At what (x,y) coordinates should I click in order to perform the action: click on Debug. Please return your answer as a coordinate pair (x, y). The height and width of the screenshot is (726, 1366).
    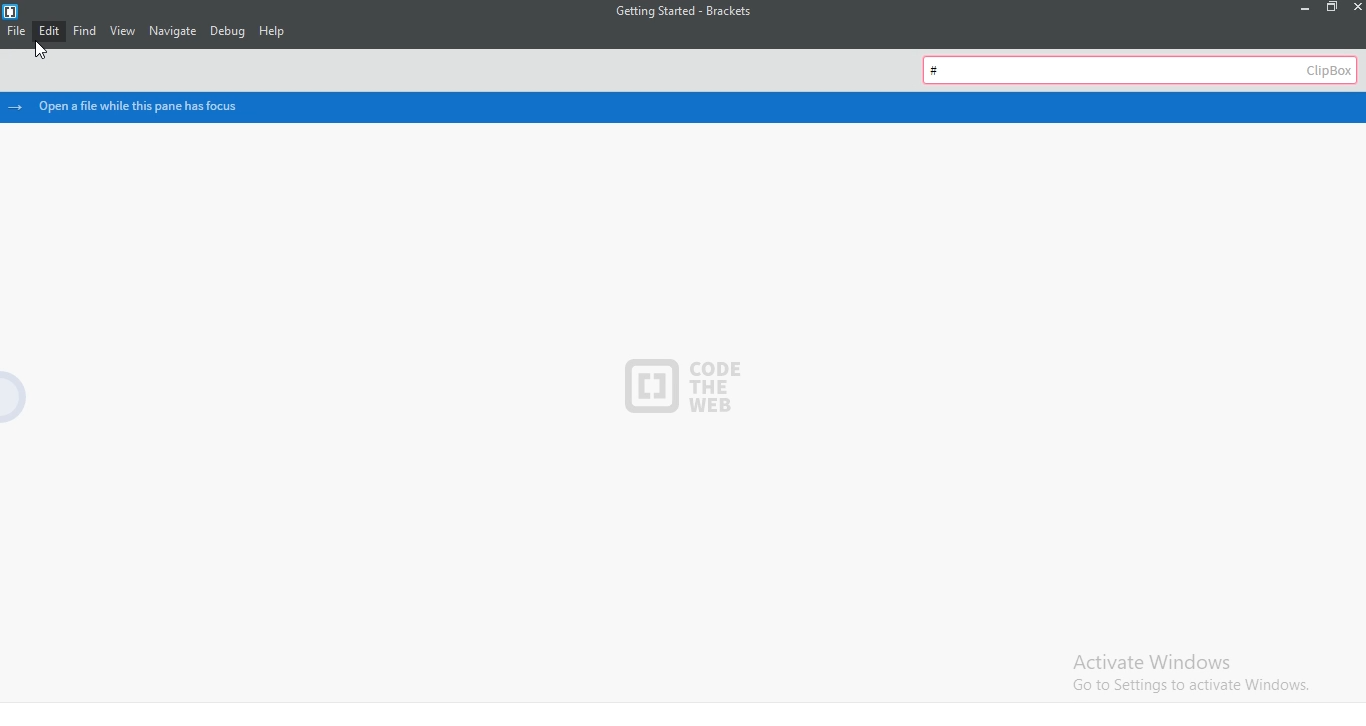
    Looking at the image, I should click on (228, 32).